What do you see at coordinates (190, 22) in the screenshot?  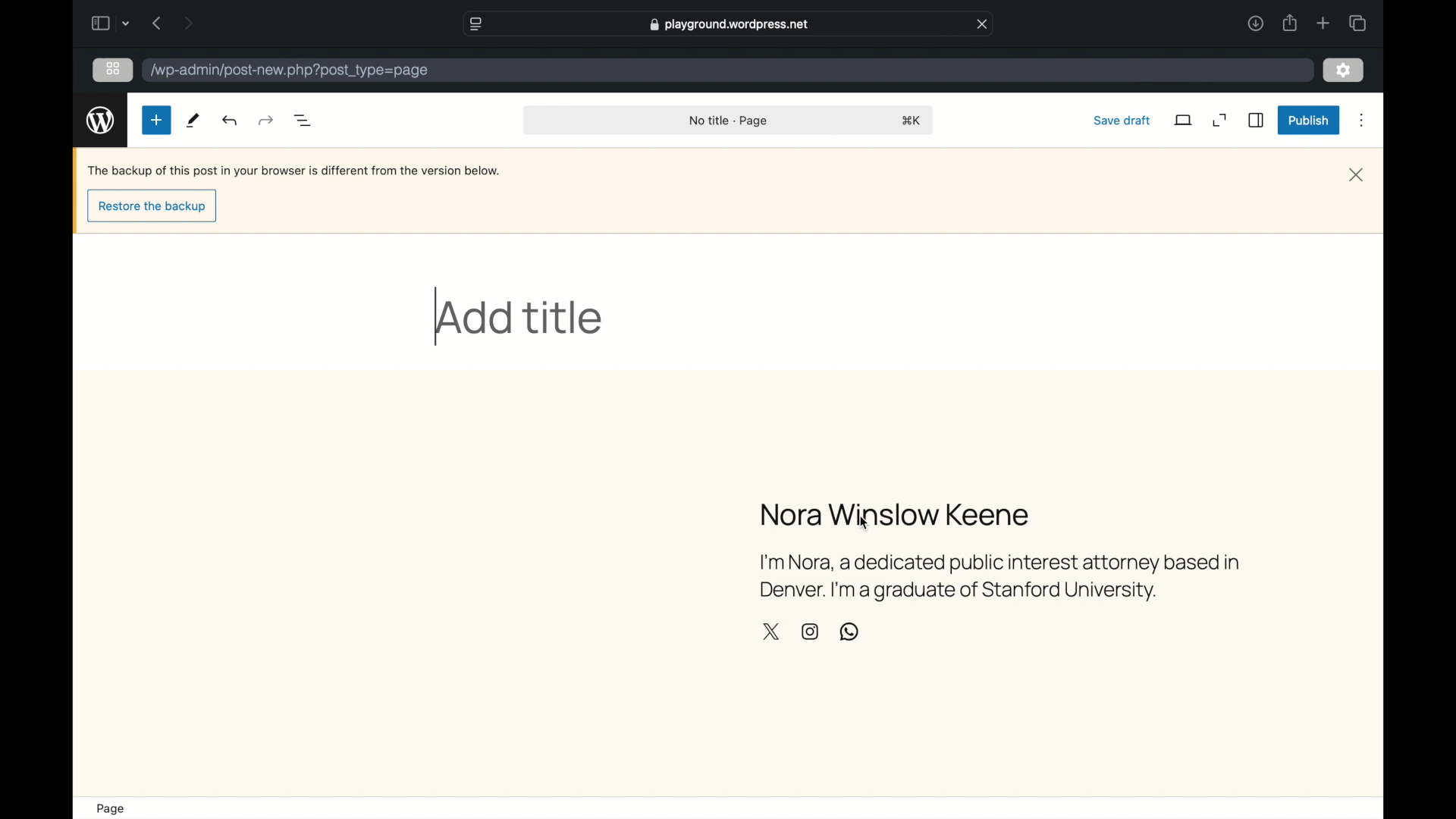 I see `next page` at bounding box center [190, 22].